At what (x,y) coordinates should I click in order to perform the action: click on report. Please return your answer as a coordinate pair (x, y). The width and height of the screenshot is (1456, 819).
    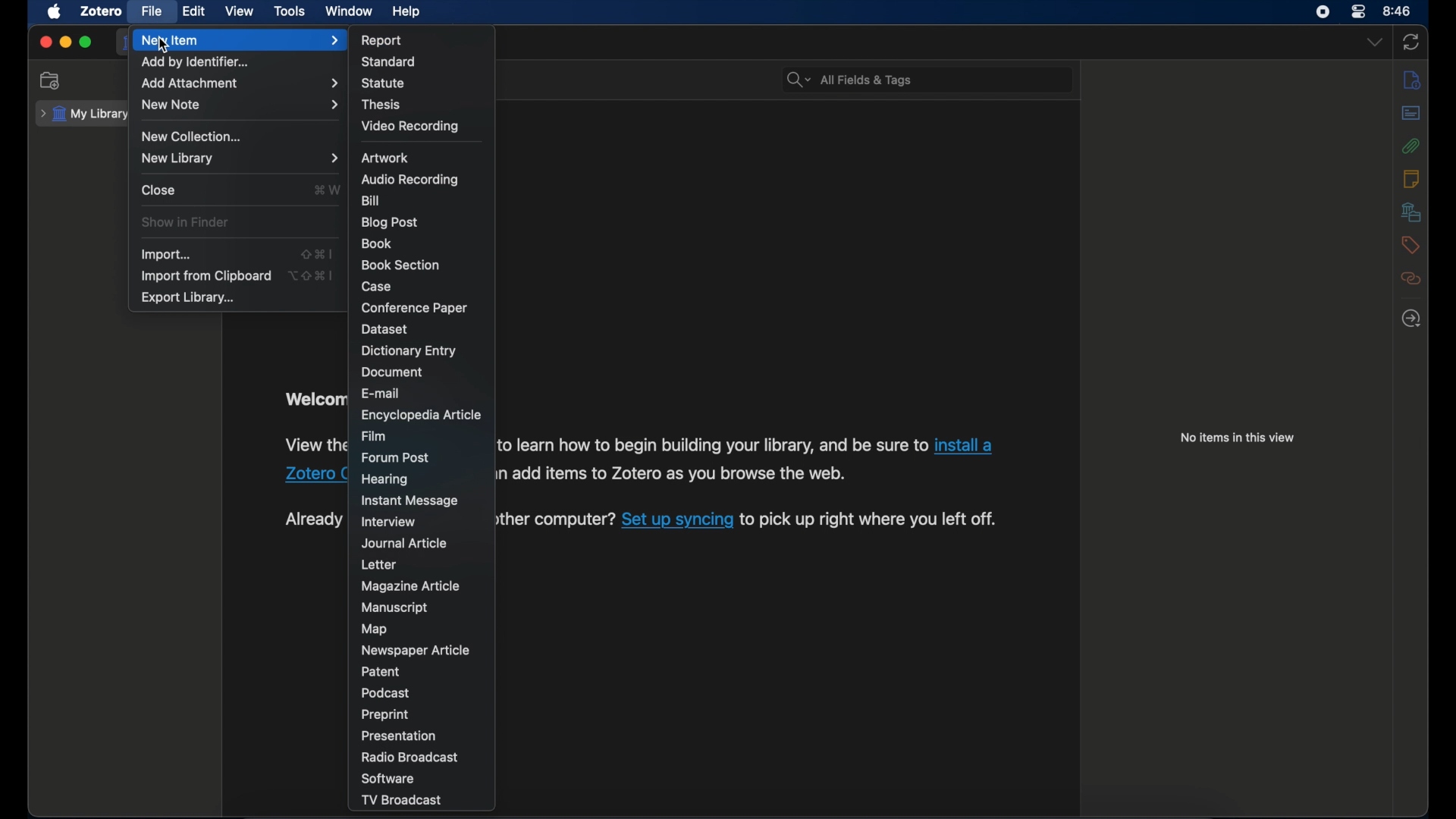
    Looking at the image, I should click on (383, 40).